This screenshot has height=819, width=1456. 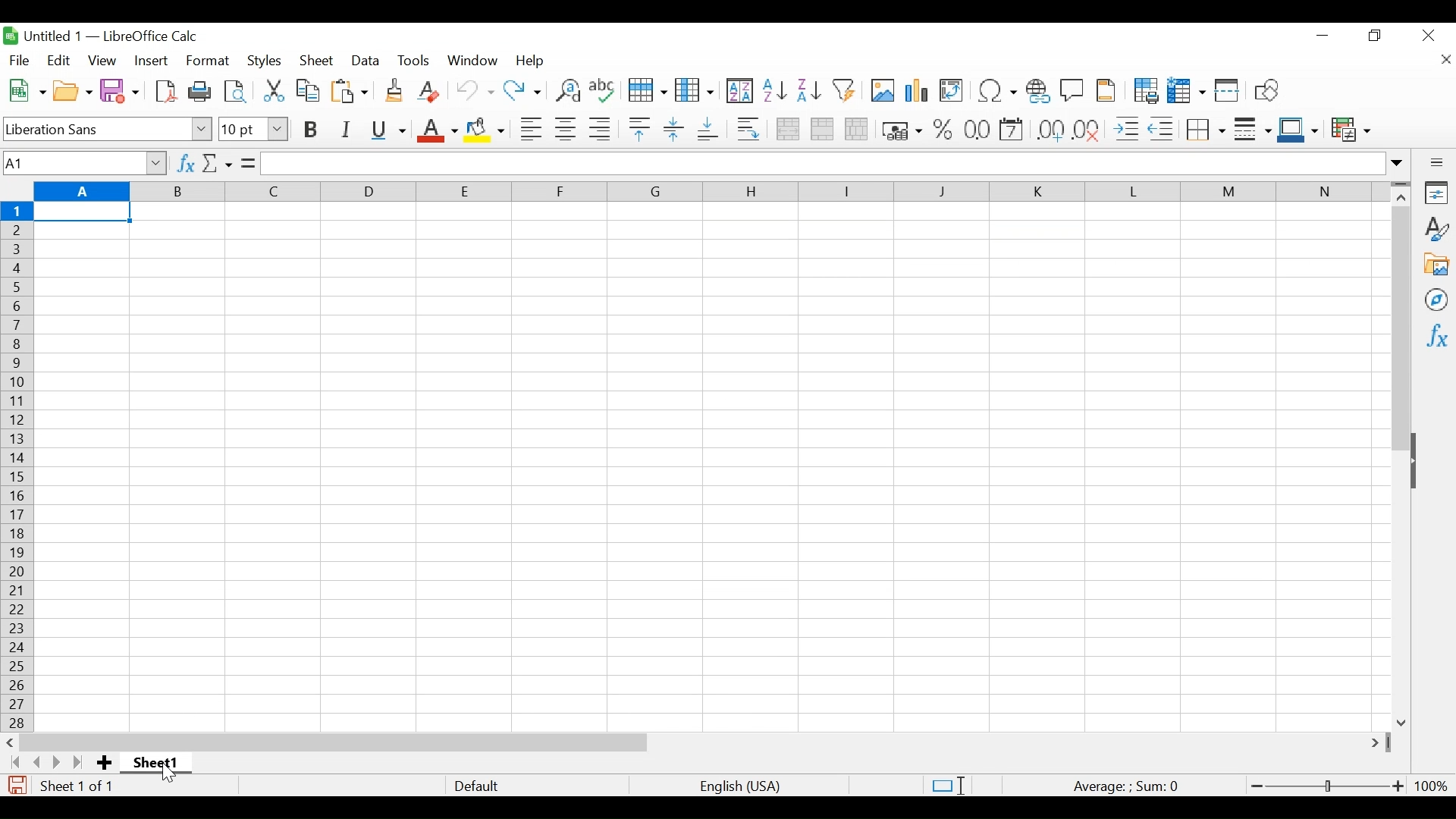 What do you see at coordinates (81, 762) in the screenshot?
I see `Scroll to the last page` at bounding box center [81, 762].